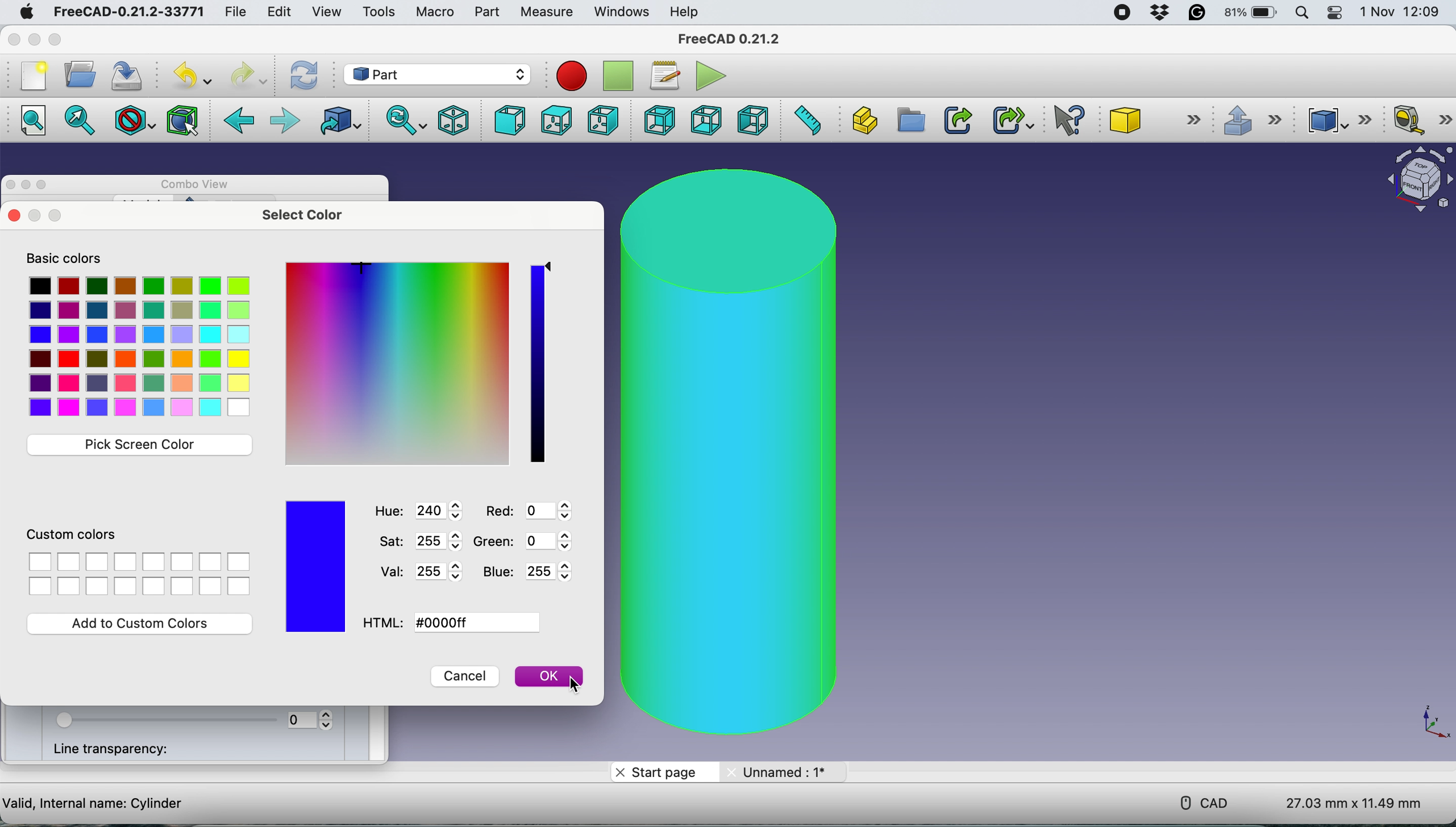  Describe the element at coordinates (729, 36) in the screenshot. I see `freecad` at that location.